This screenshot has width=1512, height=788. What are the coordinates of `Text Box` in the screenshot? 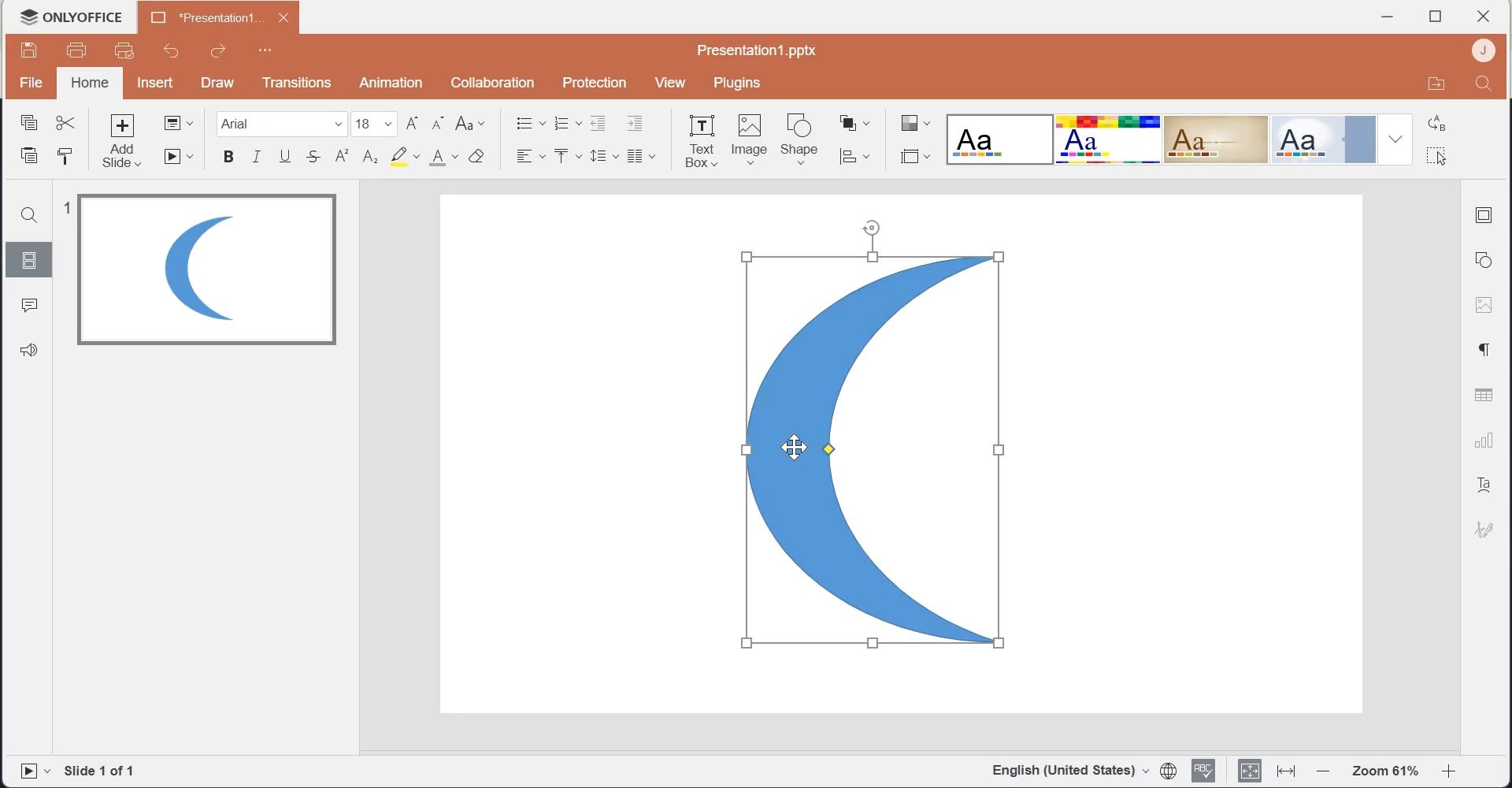 It's located at (700, 139).